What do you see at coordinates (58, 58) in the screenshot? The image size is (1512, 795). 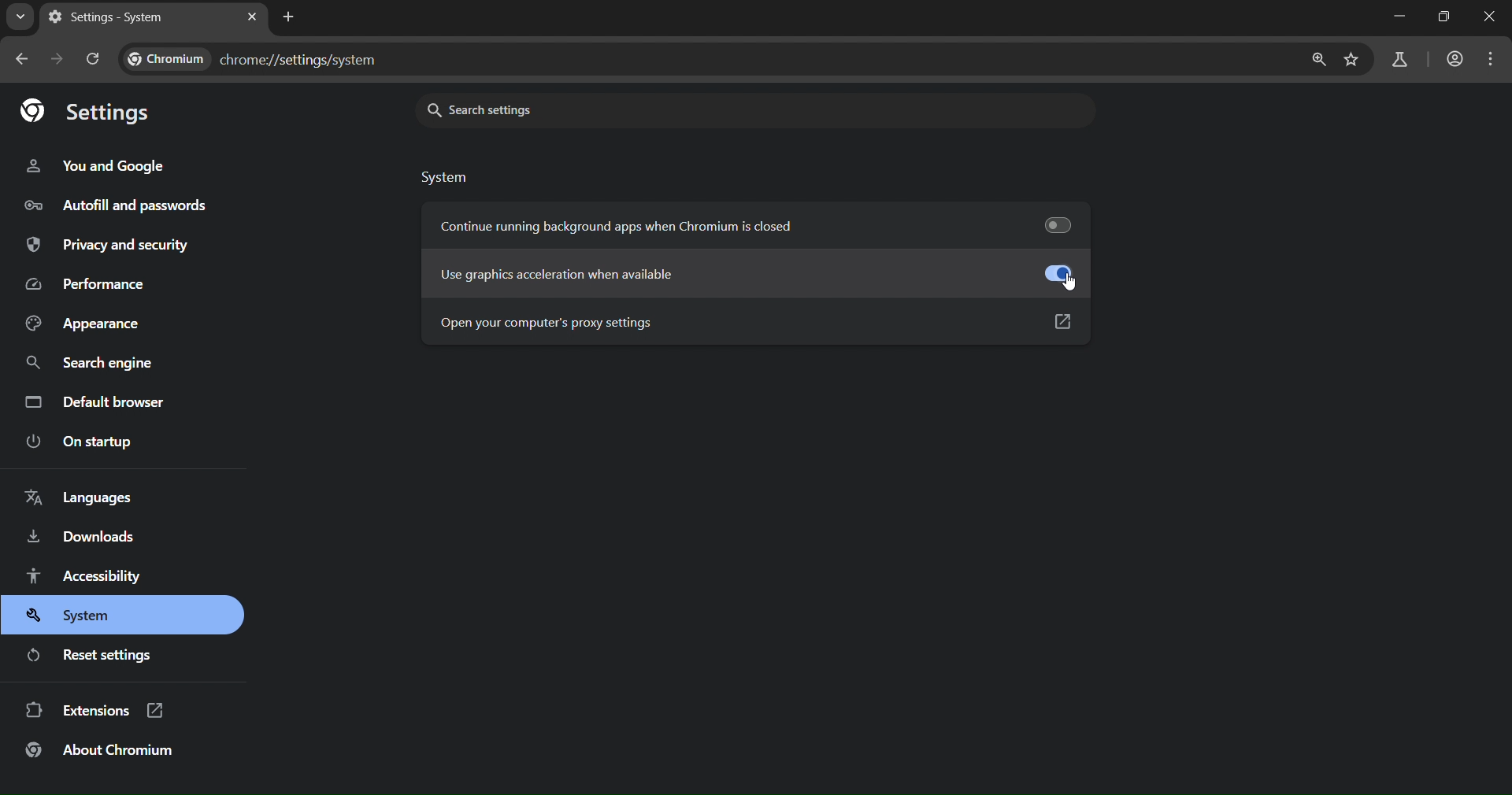 I see `go forward one page` at bounding box center [58, 58].